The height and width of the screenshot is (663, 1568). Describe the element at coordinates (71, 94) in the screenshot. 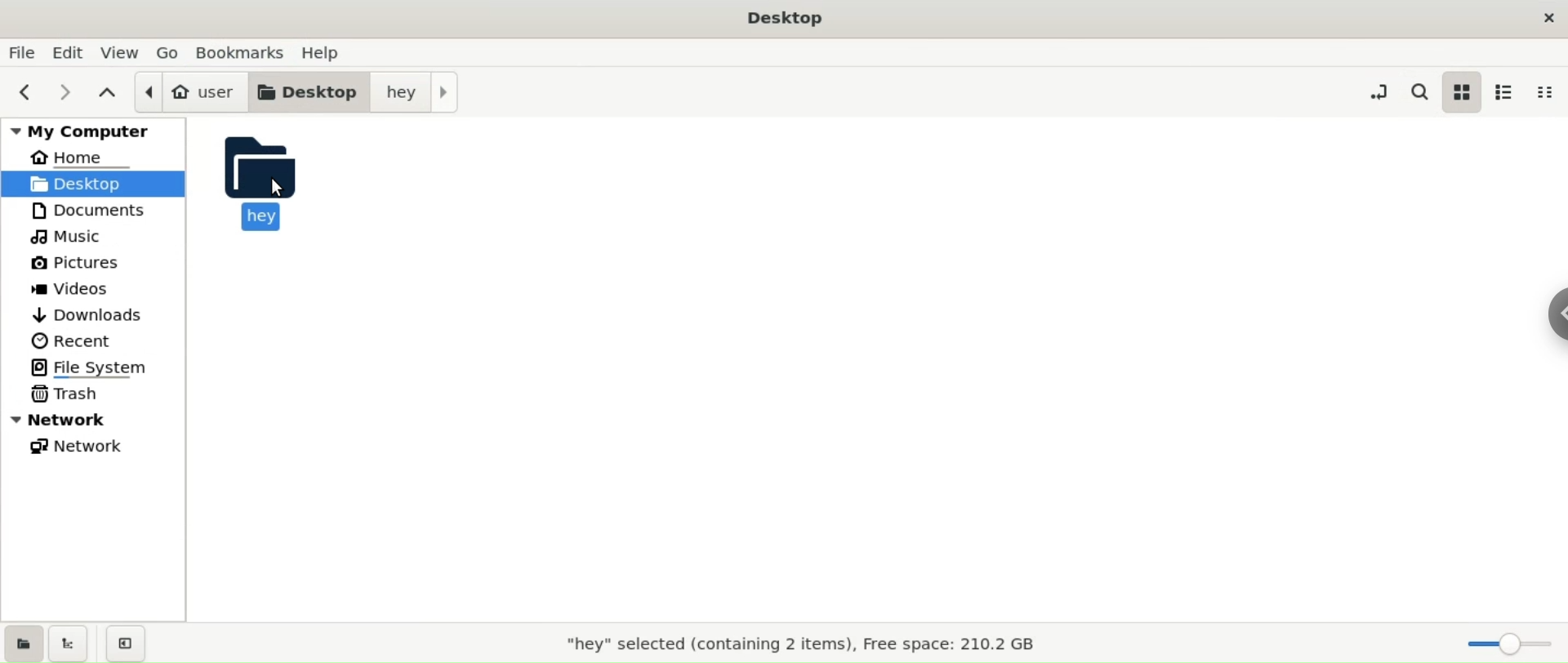

I see `next` at that location.